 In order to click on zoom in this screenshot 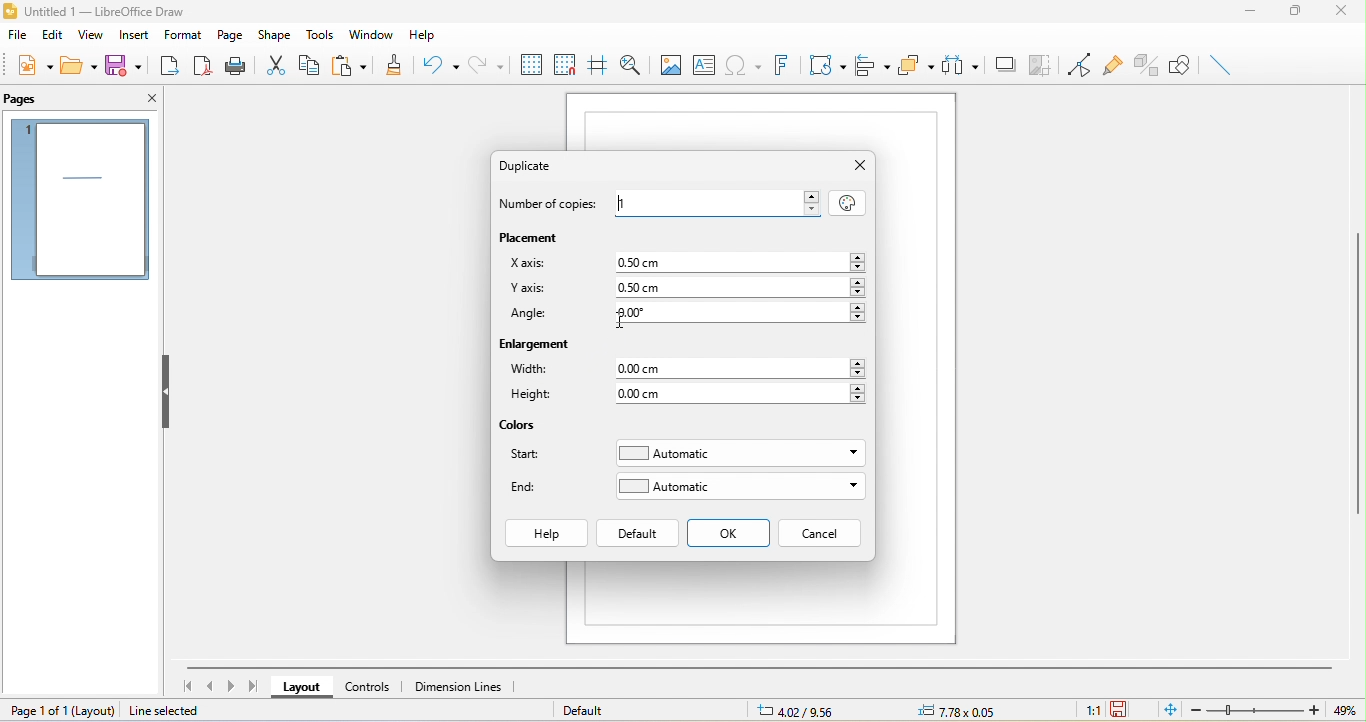, I will do `click(1269, 710)`.